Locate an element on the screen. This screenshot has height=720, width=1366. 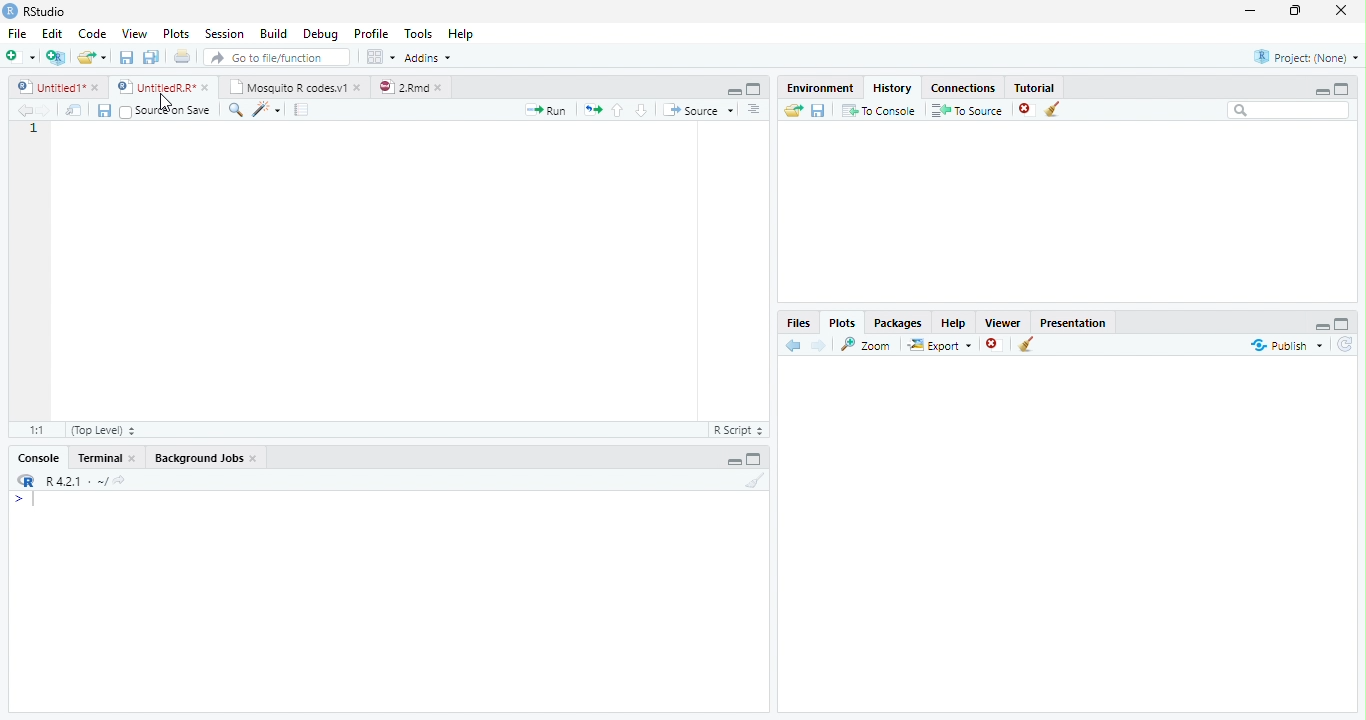
Connections. is located at coordinates (963, 87).